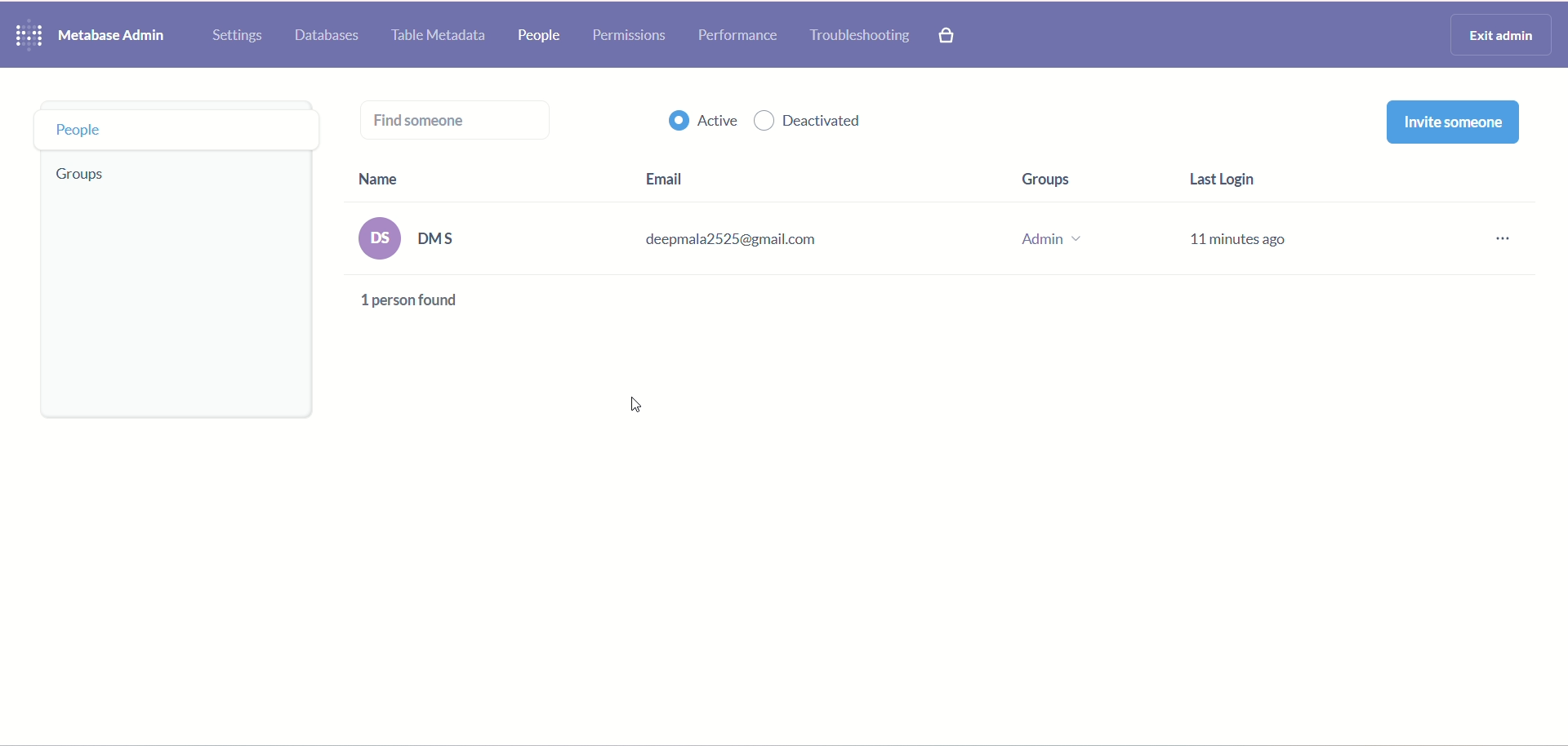 The image size is (1568, 746). What do you see at coordinates (1459, 124) in the screenshot?
I see `invite someone` at bounding box center [1459, 124].